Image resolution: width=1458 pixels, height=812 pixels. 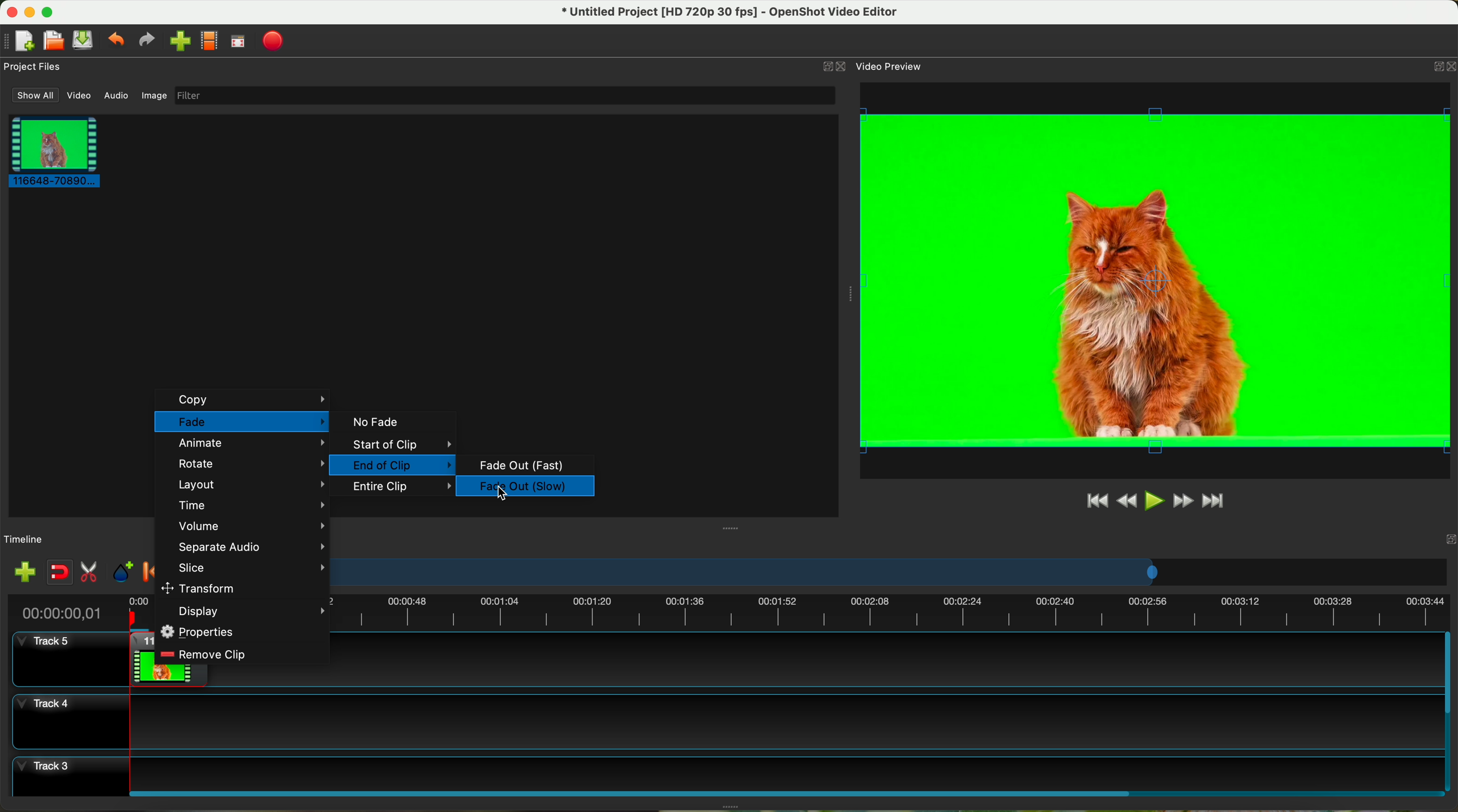 I want to click on remove clip, so click(x=205, y=654).